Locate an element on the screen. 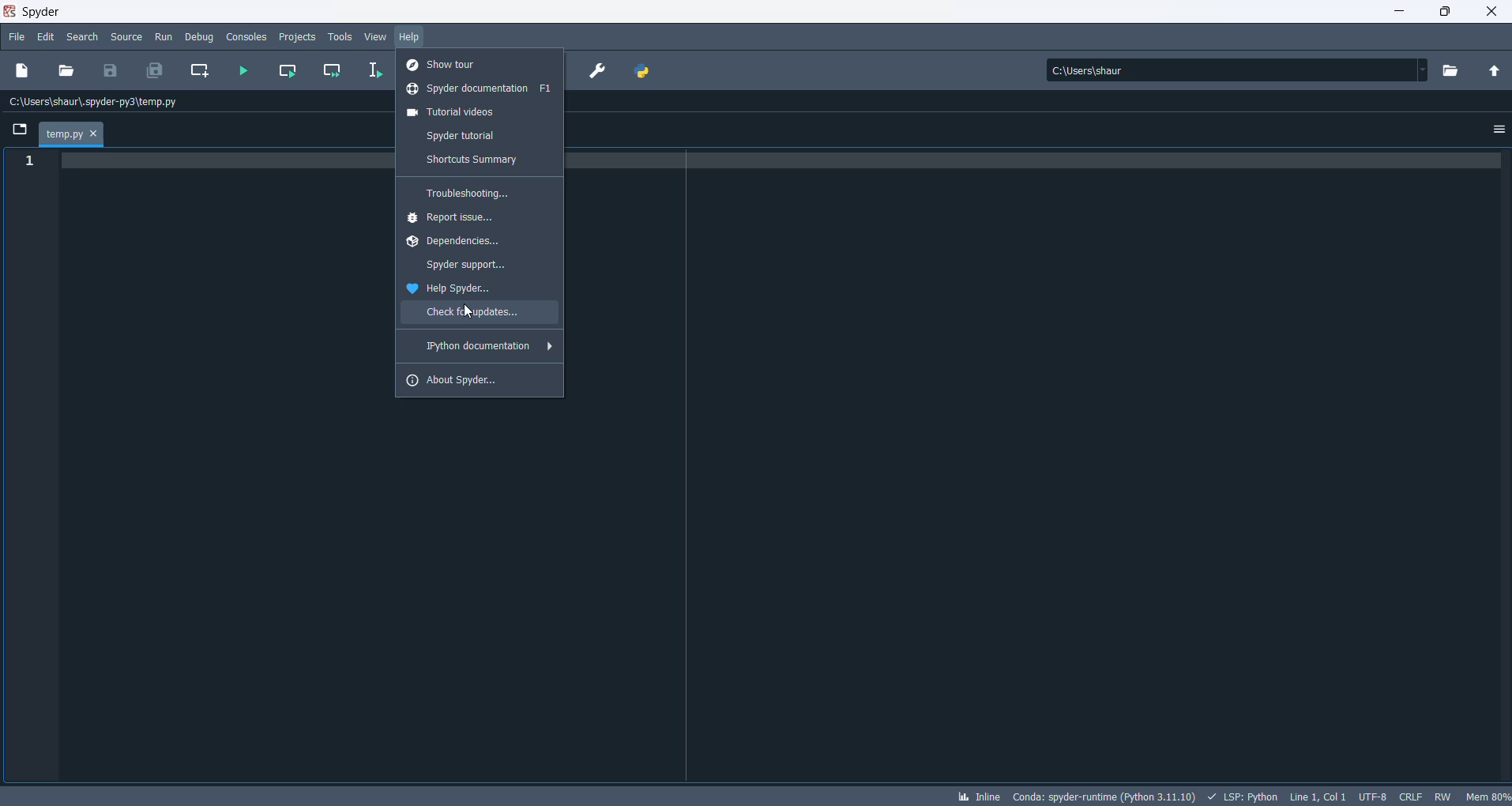 This screenshot has height=806, width=1512. file control is located at coordinates (1442, 797).